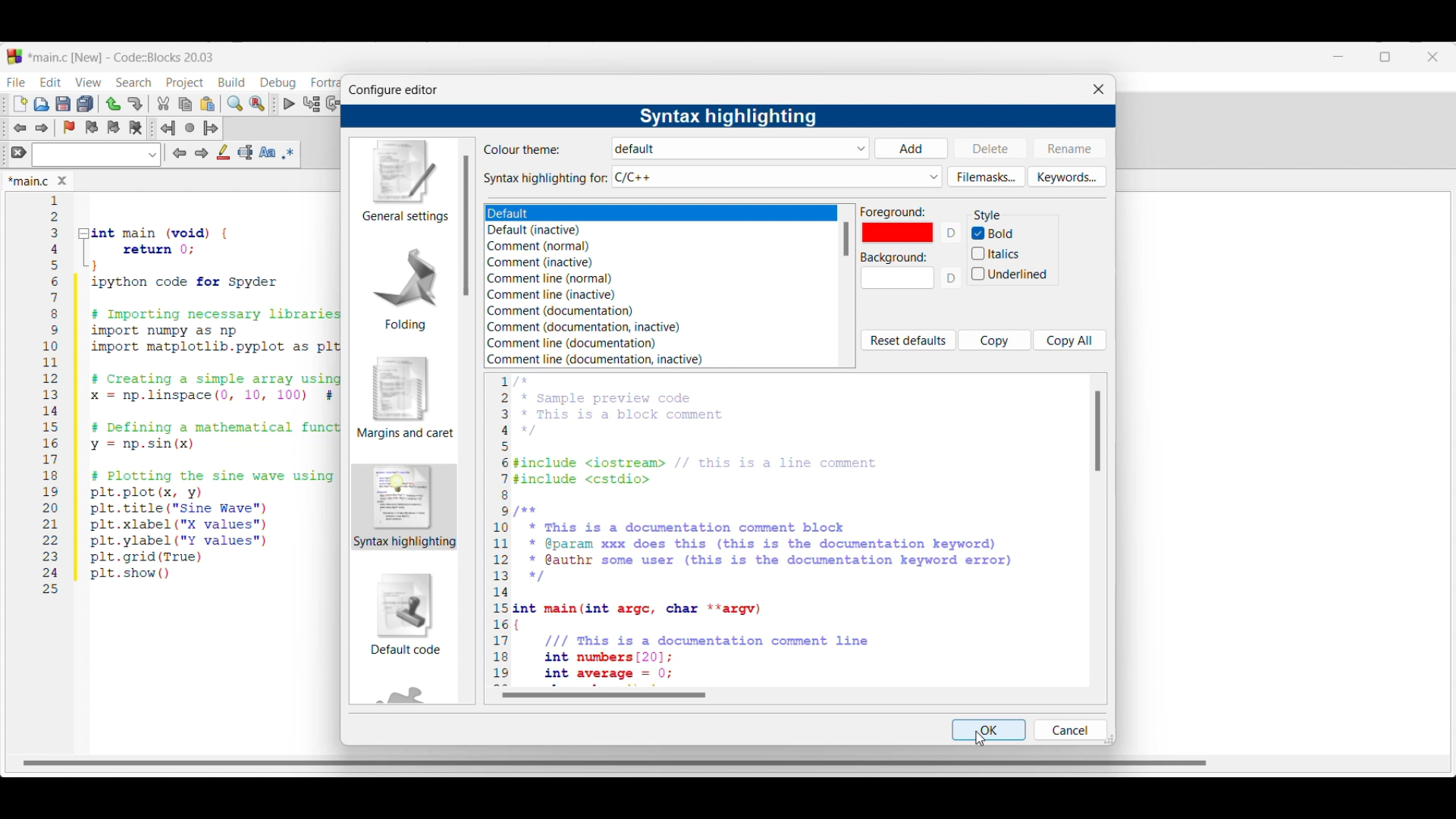 The height and width of the screenshot is (819, 1456). Describe the element at coordinates (1020, 232) in the screenshot. I see `Bold` at that location.